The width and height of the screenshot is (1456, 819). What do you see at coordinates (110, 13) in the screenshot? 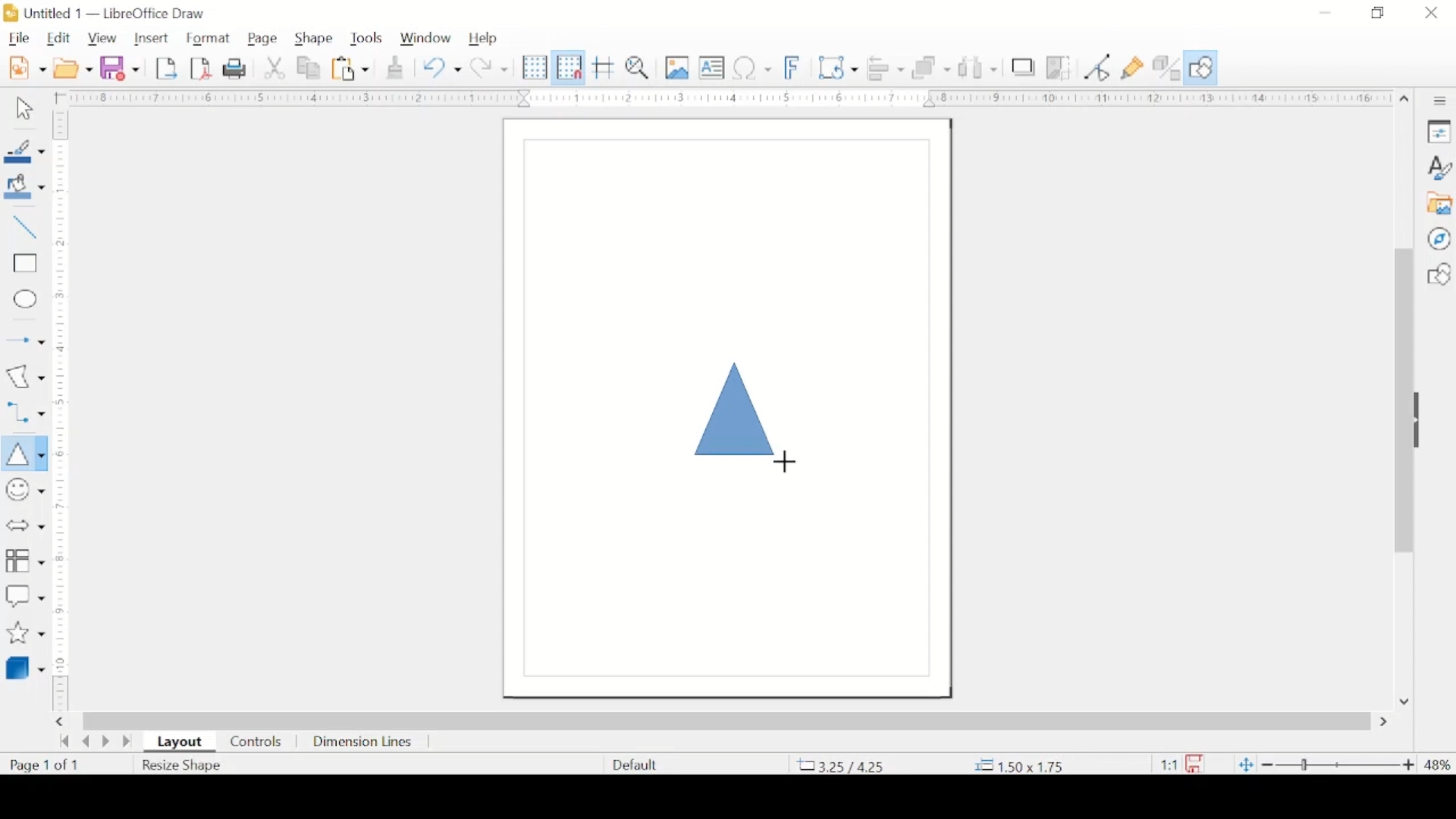
I see `untitled 1 - libreoffice draw` at bounding box center [110, 13].